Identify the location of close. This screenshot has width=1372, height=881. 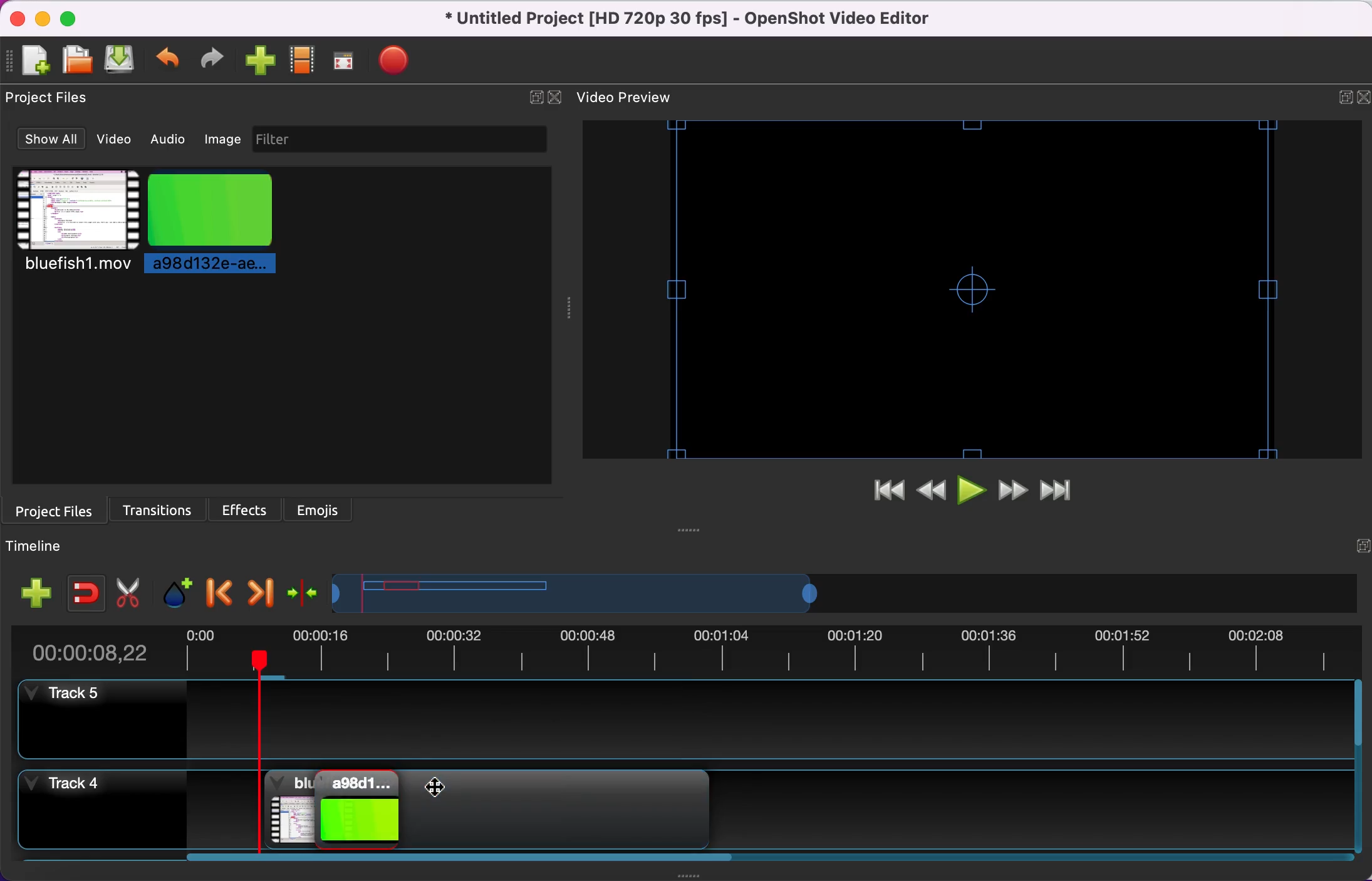
(1363, 98).